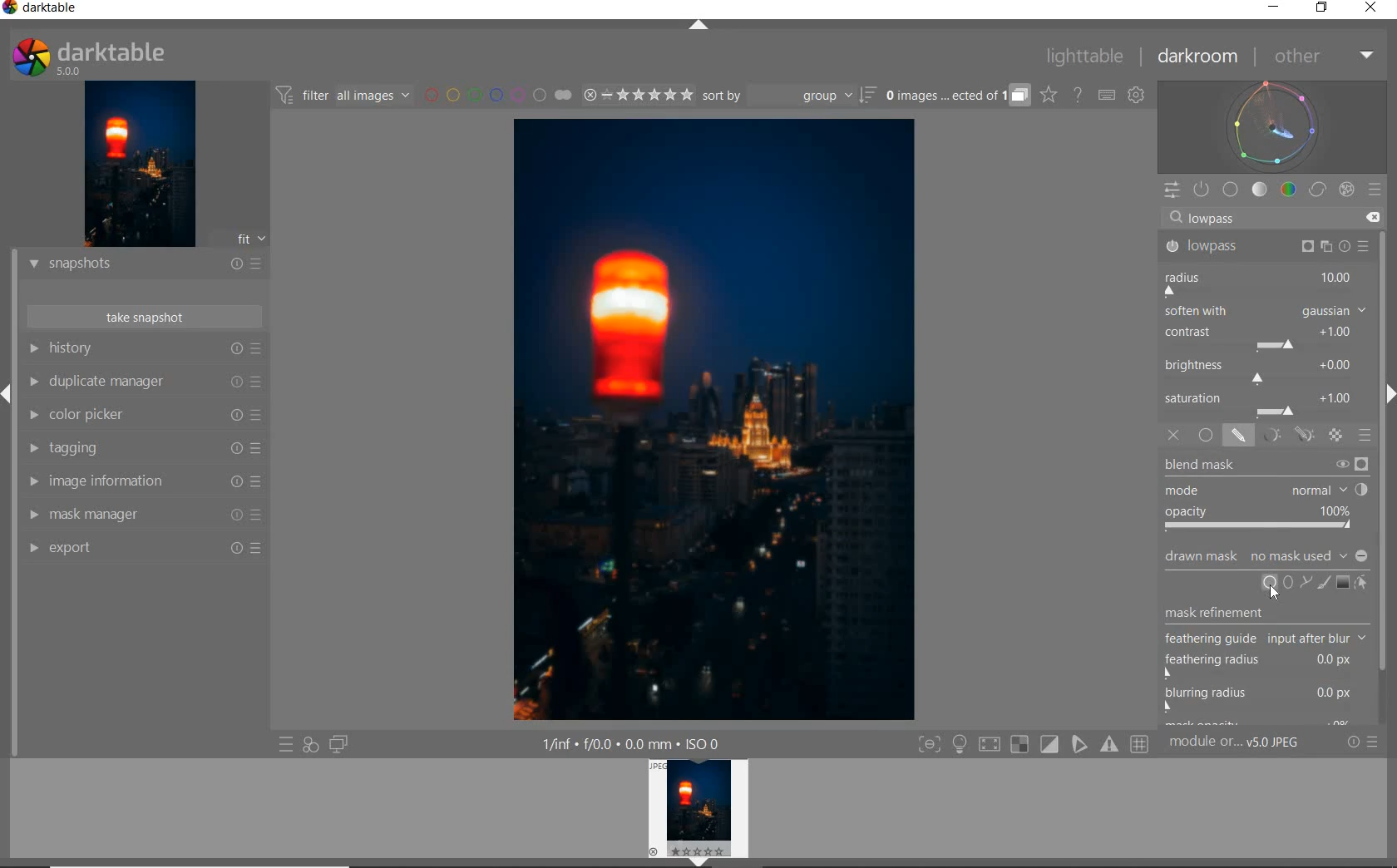 The image size is (1397, 868). What do you see at coordinates (1138, 96) in the screenshot?
I see `SHOW GLOBAL PREFERENCES` at bounding box center [1138, 96].